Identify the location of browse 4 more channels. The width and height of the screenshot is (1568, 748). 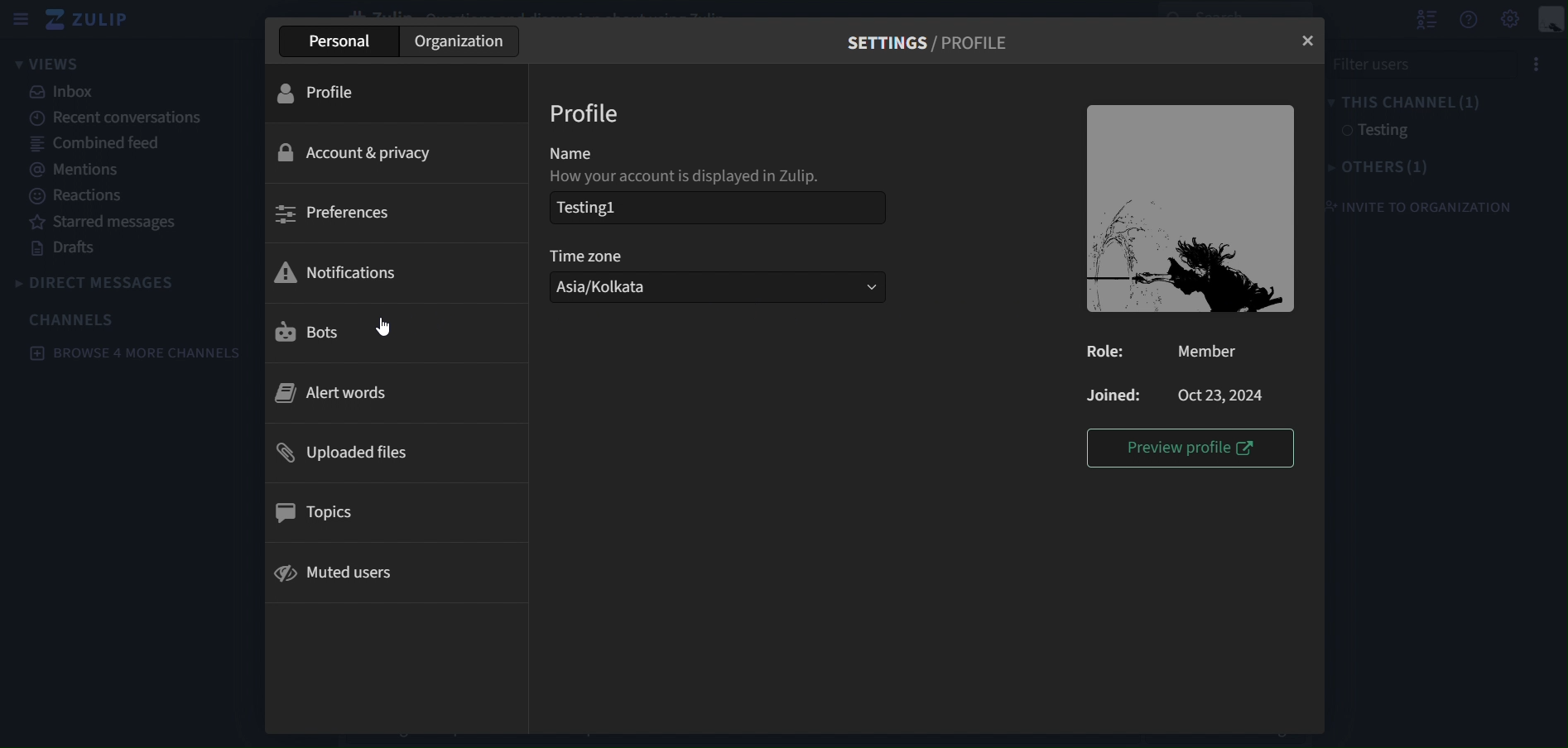
(132, 353).